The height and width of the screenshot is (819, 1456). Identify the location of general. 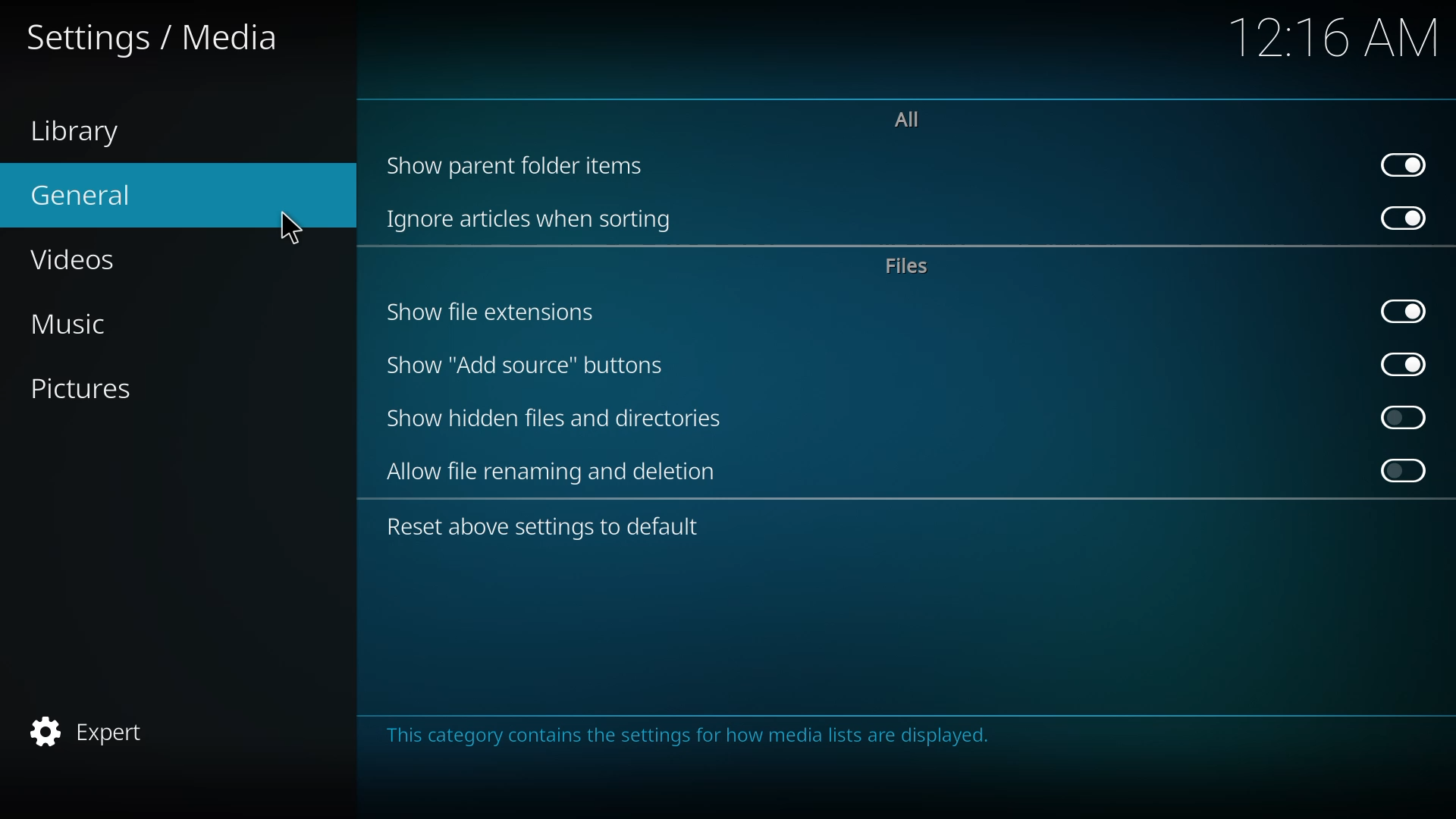
(93, 193).